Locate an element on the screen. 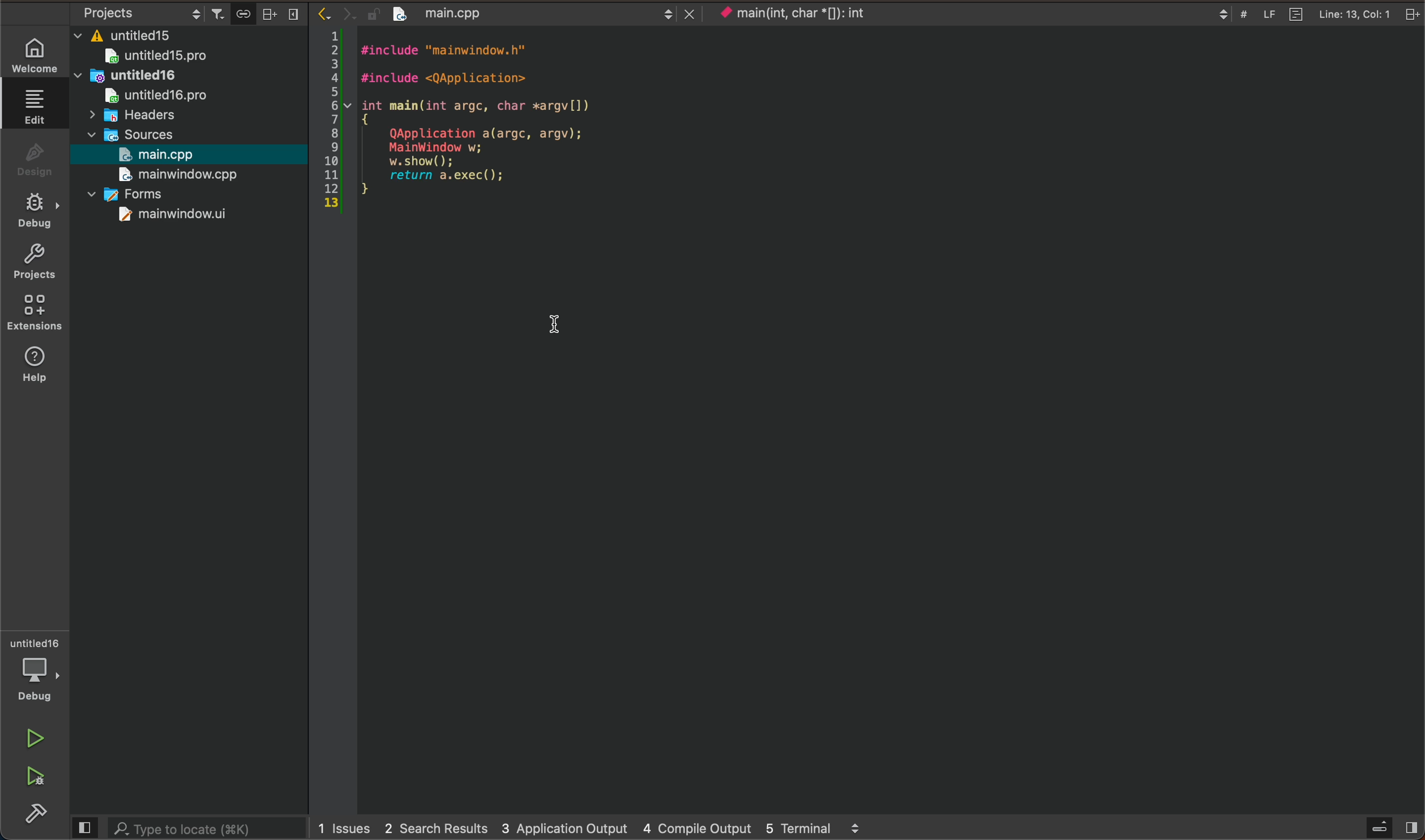 This screenshot has height=840, width=1425. help is located at coordinates (33, 369).